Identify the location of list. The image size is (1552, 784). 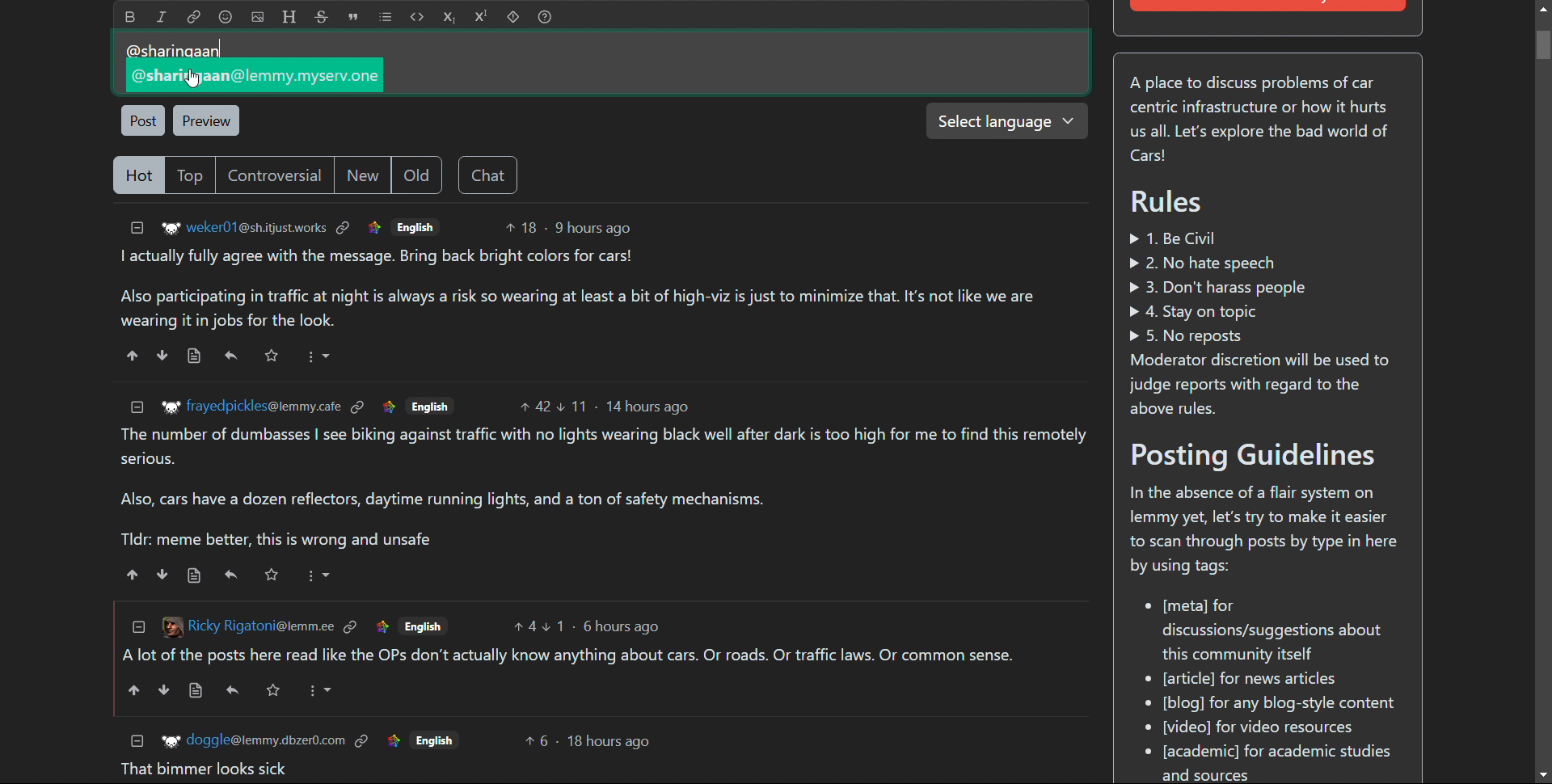
(386, 17).